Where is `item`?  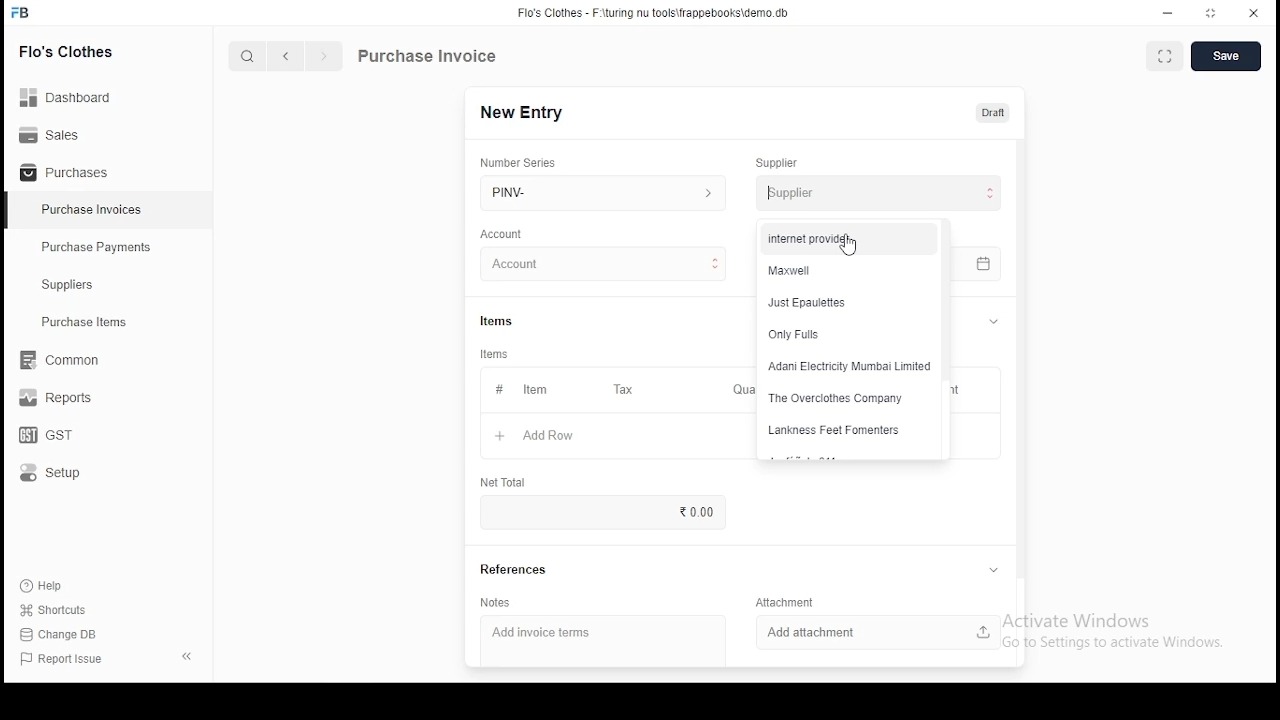 item is located at coordinates (534, 391).